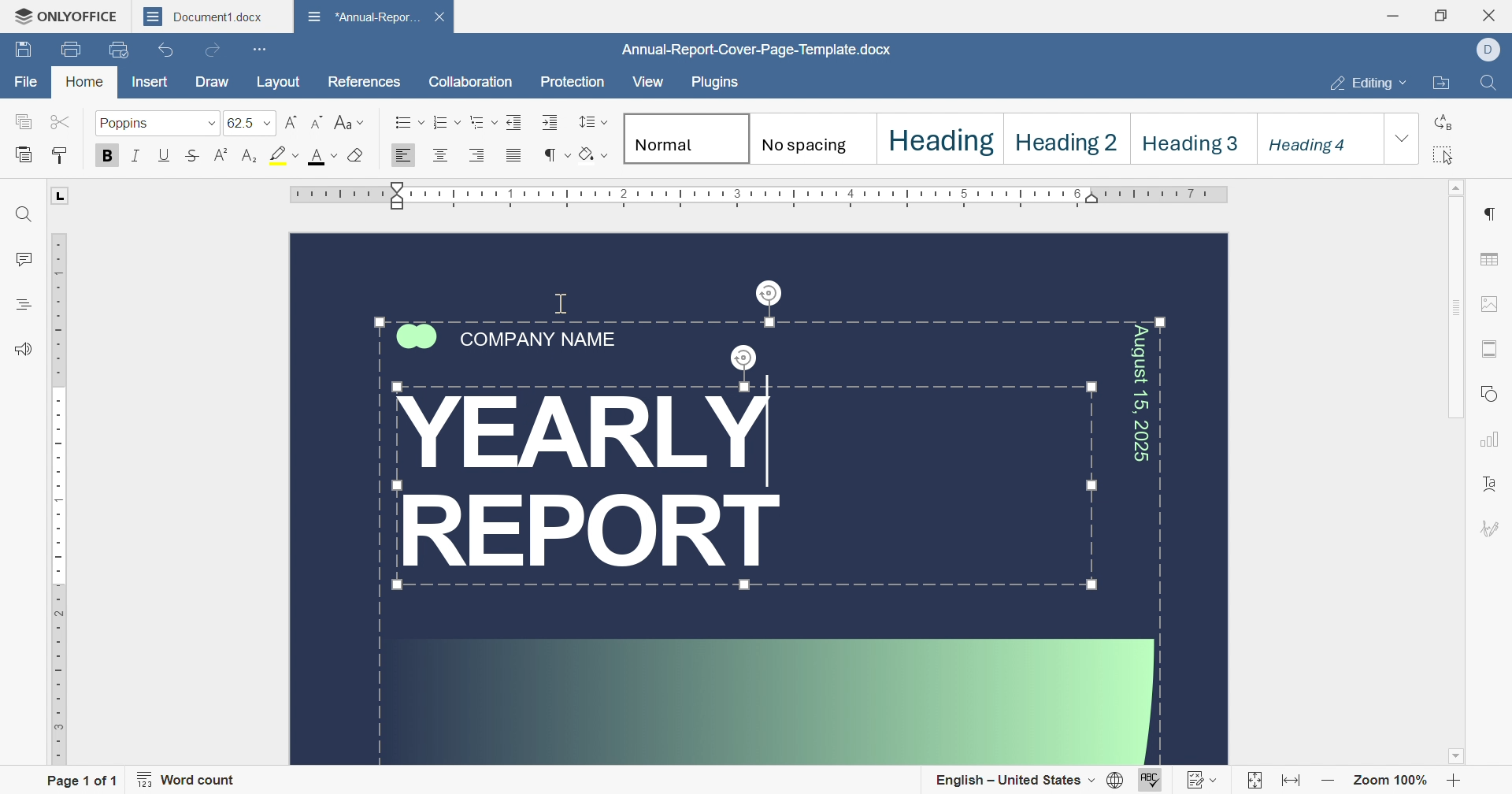 The image size is (1512, 794). Describe the element at coordinates (1488, 347) in the screenshot. I see `header and footer settings` at that location.